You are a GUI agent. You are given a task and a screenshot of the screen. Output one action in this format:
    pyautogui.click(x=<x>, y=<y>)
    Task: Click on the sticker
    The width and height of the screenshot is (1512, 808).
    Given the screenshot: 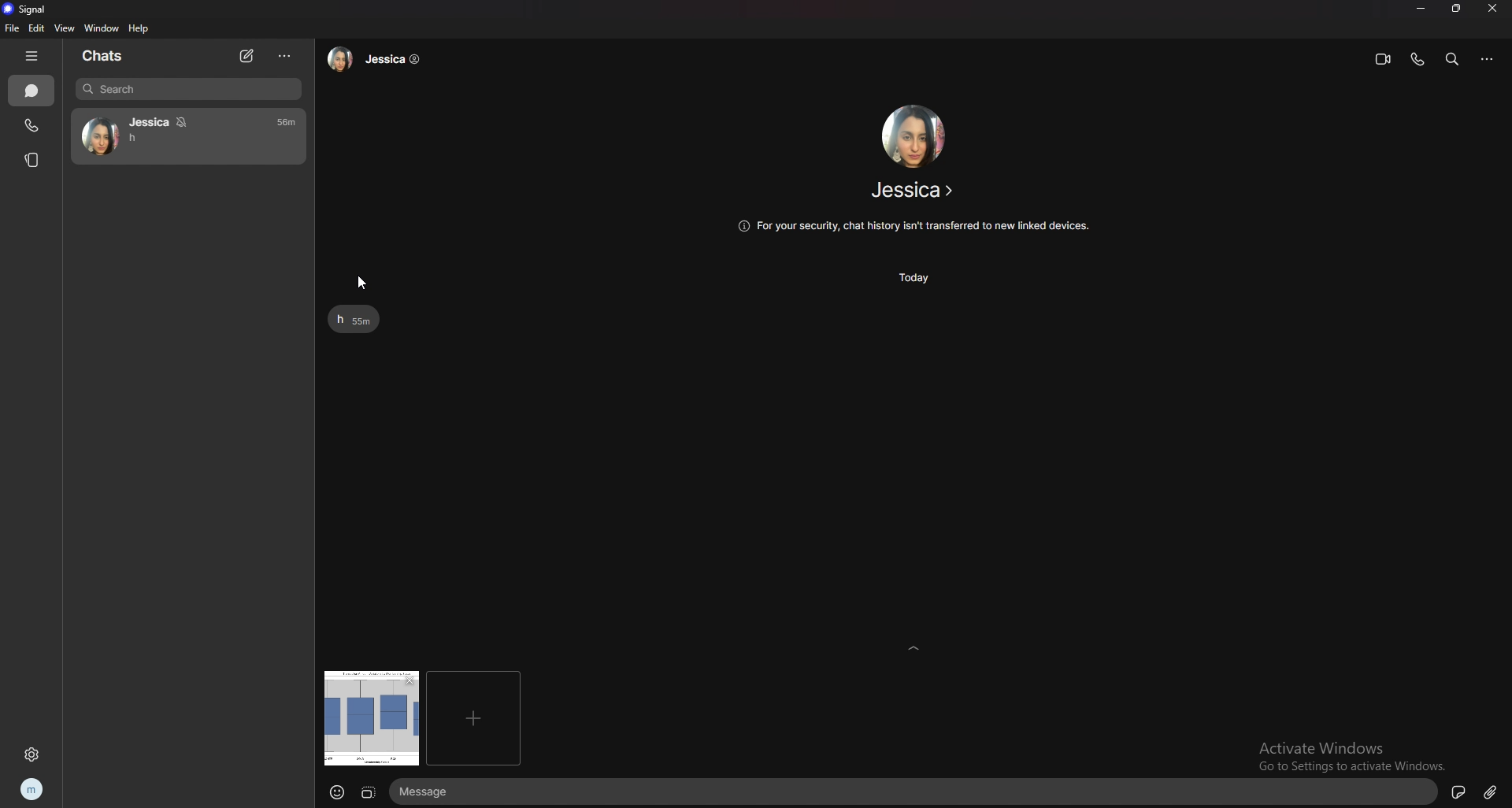 What is the action you would take?
    pyautogui.click(x=1458, y=790)
    